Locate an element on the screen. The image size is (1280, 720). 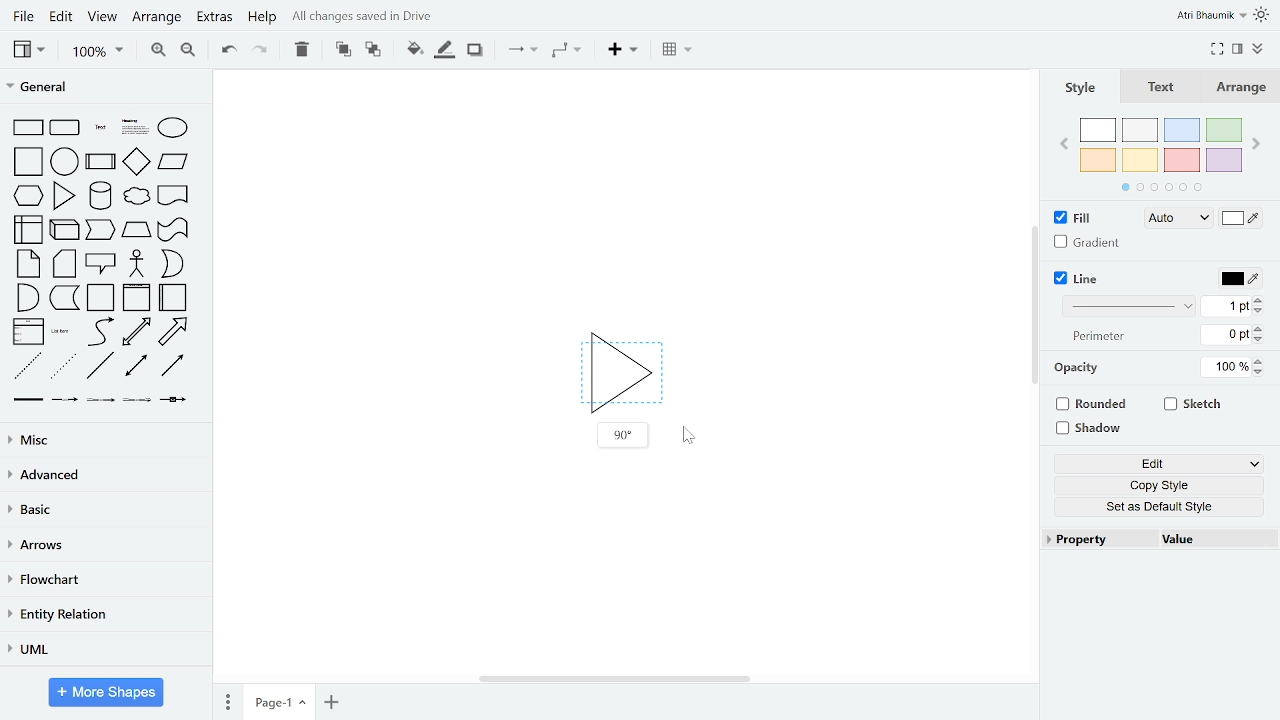
violet is located at coordinates (1225, 161).